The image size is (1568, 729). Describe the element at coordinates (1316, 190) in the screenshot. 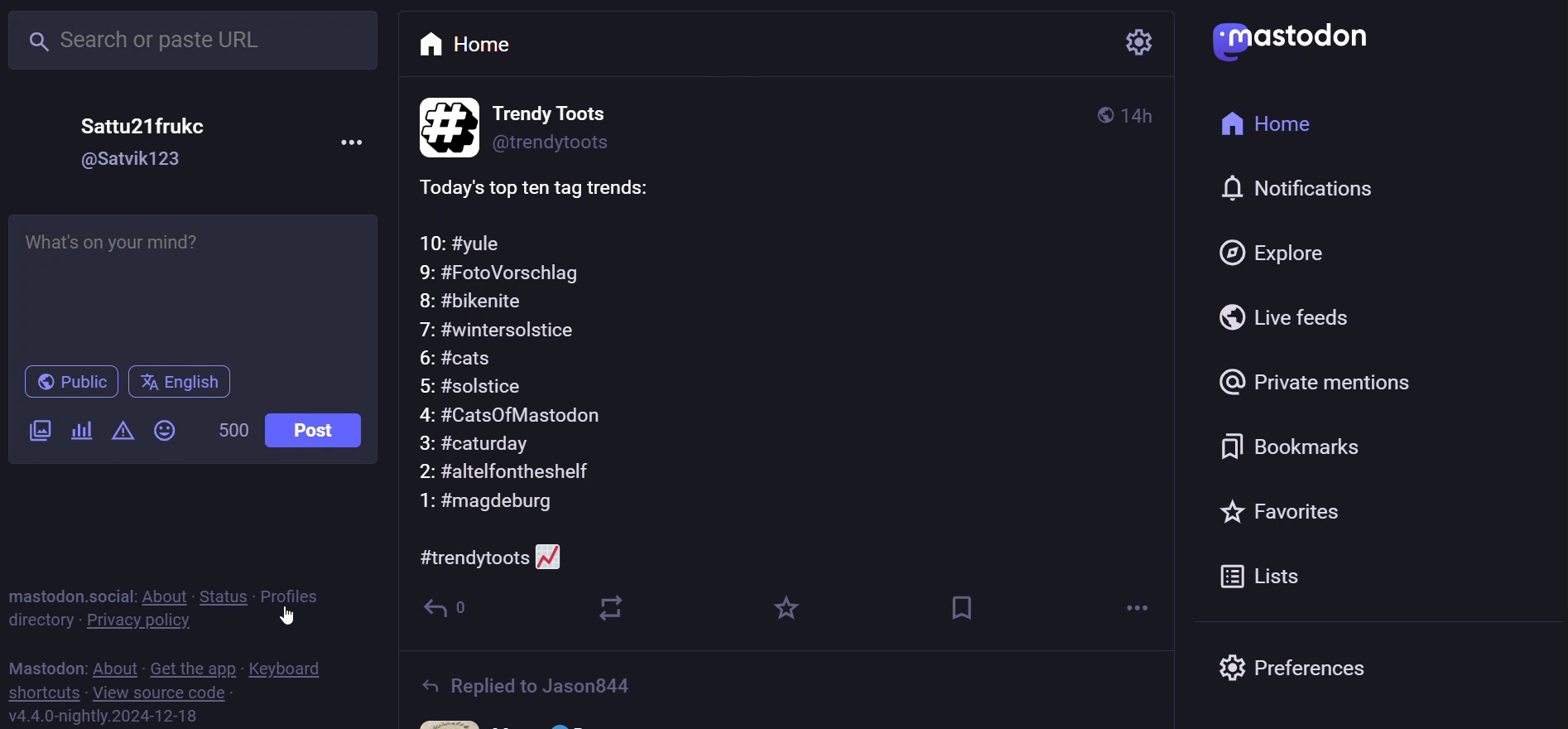

I see `notifications` at that location.